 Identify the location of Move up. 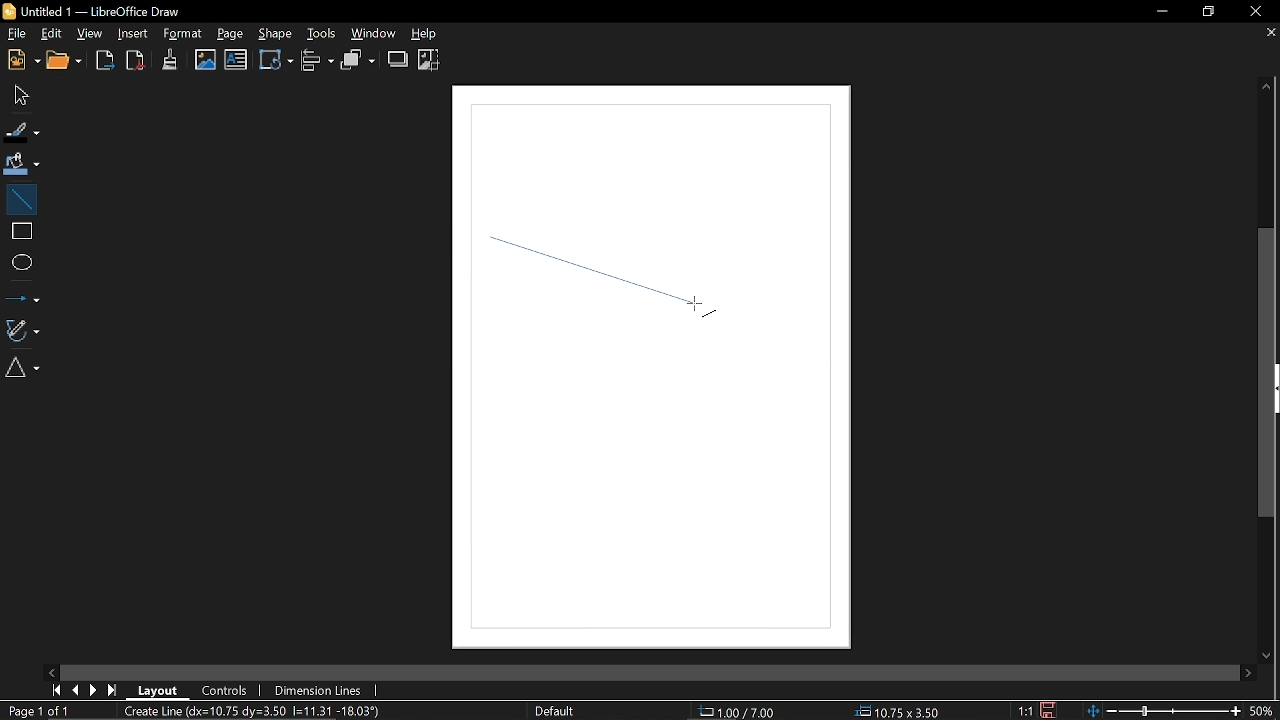
(1272, 88).